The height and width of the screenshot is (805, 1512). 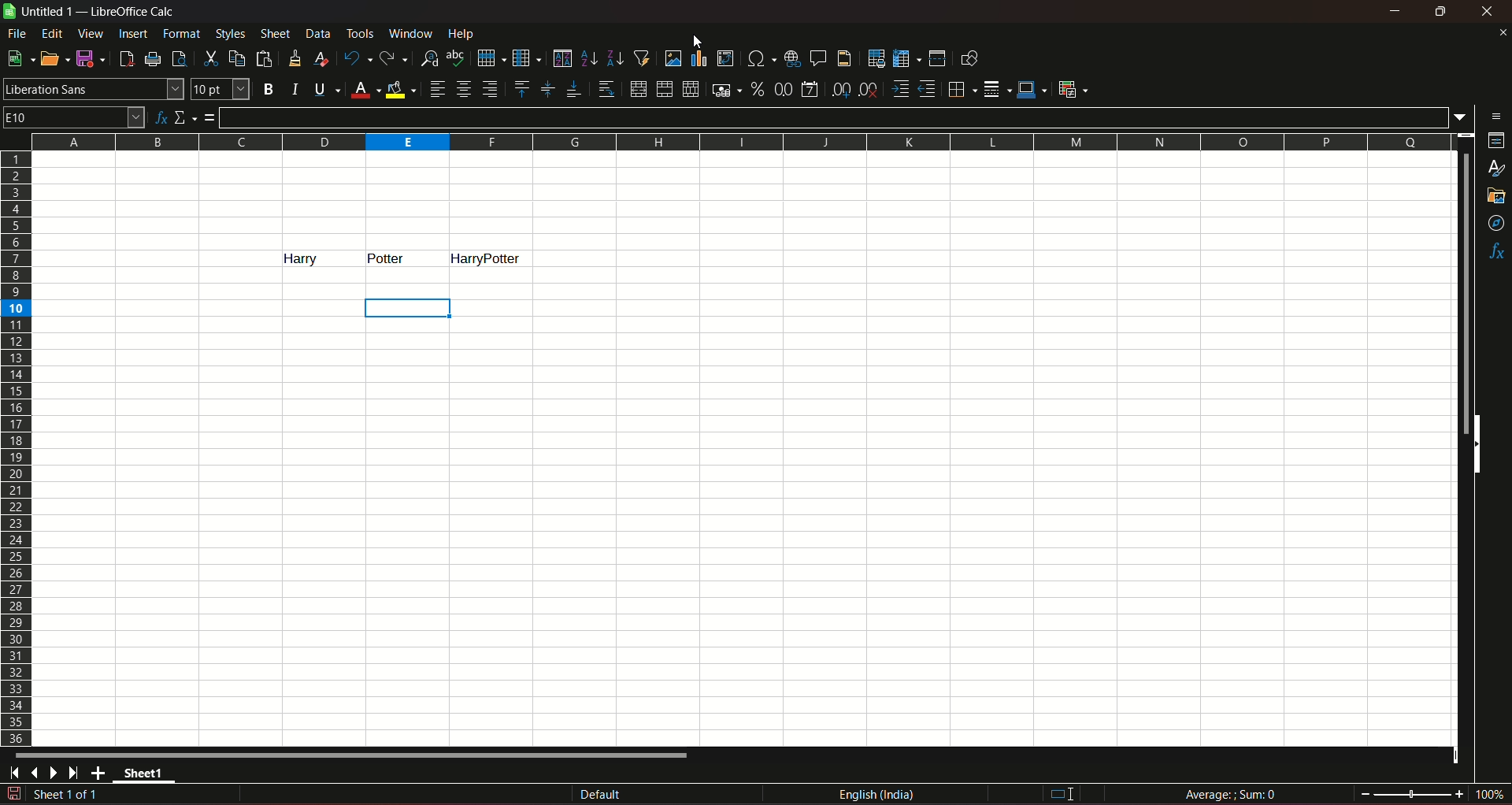 I want to click on sheet name, so click(x=148, y=776).